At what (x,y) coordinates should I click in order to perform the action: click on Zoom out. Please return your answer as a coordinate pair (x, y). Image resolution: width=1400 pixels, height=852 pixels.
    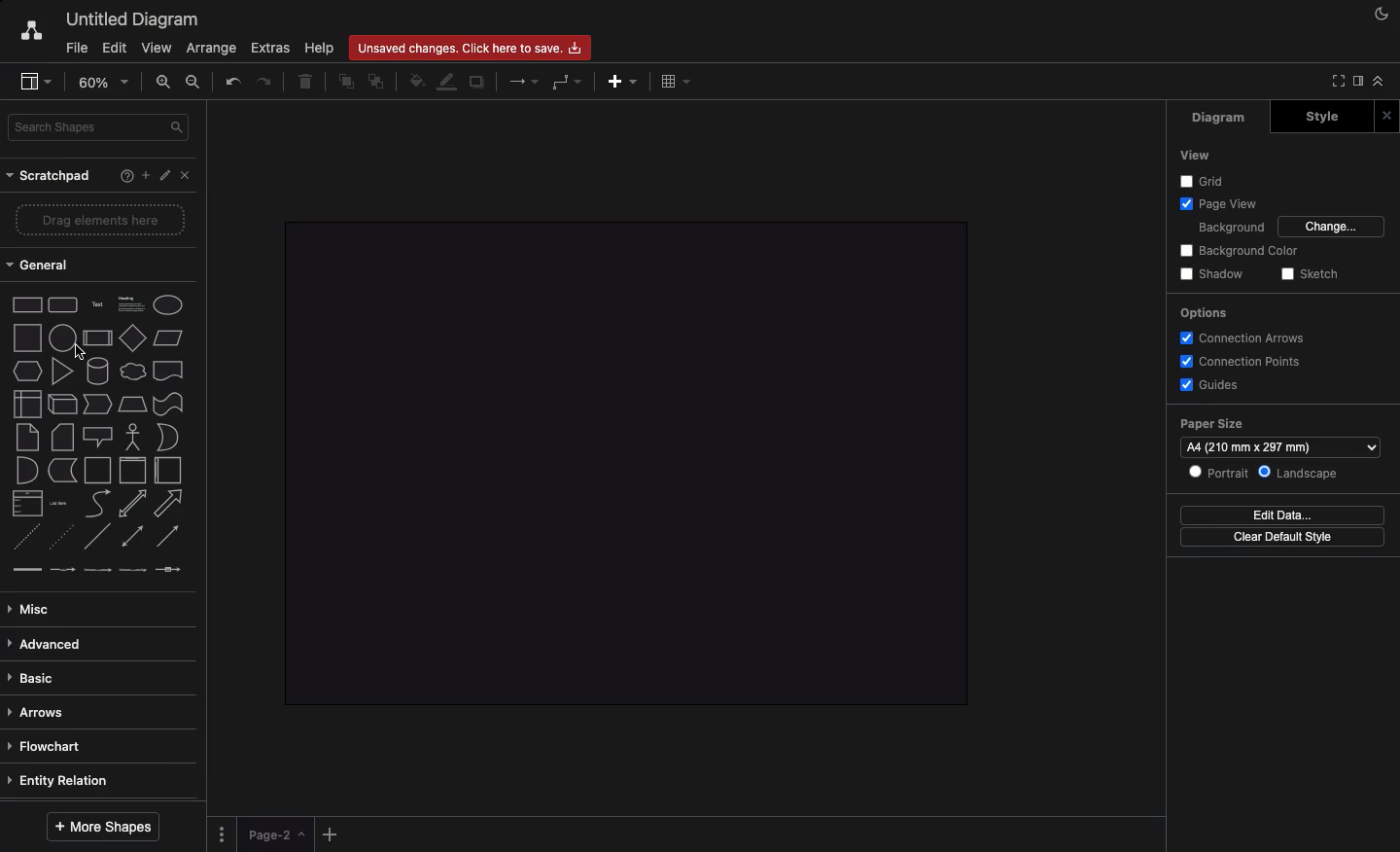
    Looking at the image, I should click on (193, 83).